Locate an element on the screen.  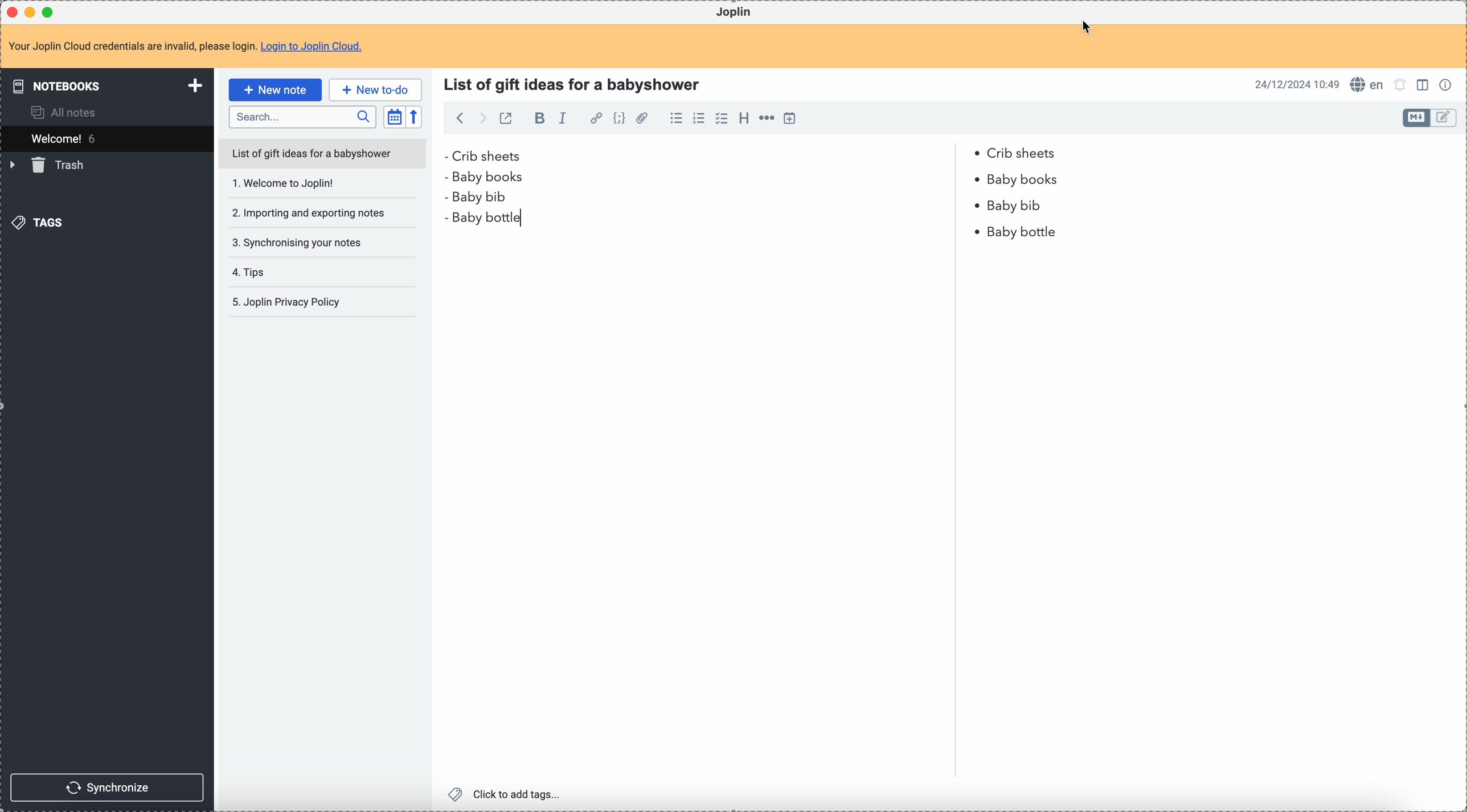
date and hour is located at coordinates (1297, 84).